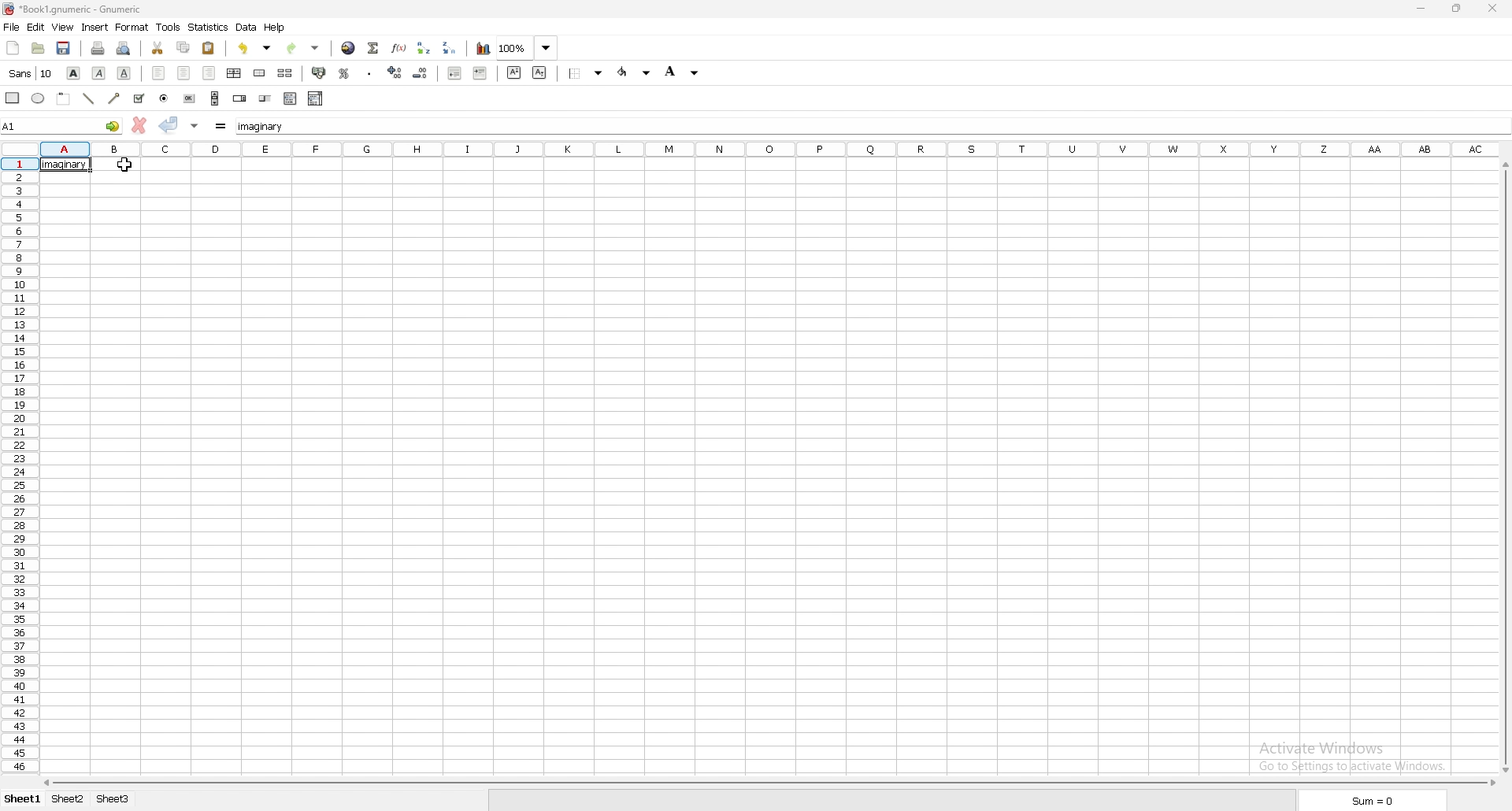 Image resolution: width=1512 pixels, height=811 pixels. Describe the element at coordinates (114, 99) in the screenshot. I see `arrowed line` at that location.